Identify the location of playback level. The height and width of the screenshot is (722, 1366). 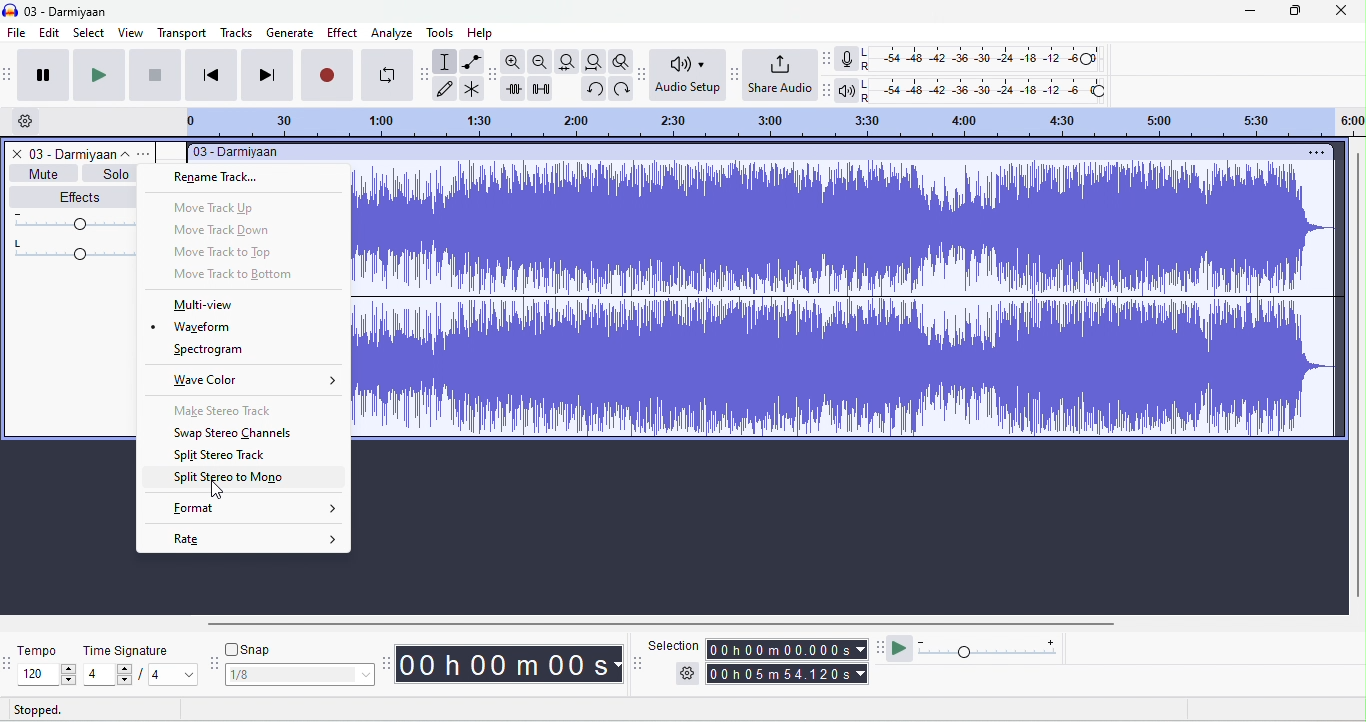
(987, 92).